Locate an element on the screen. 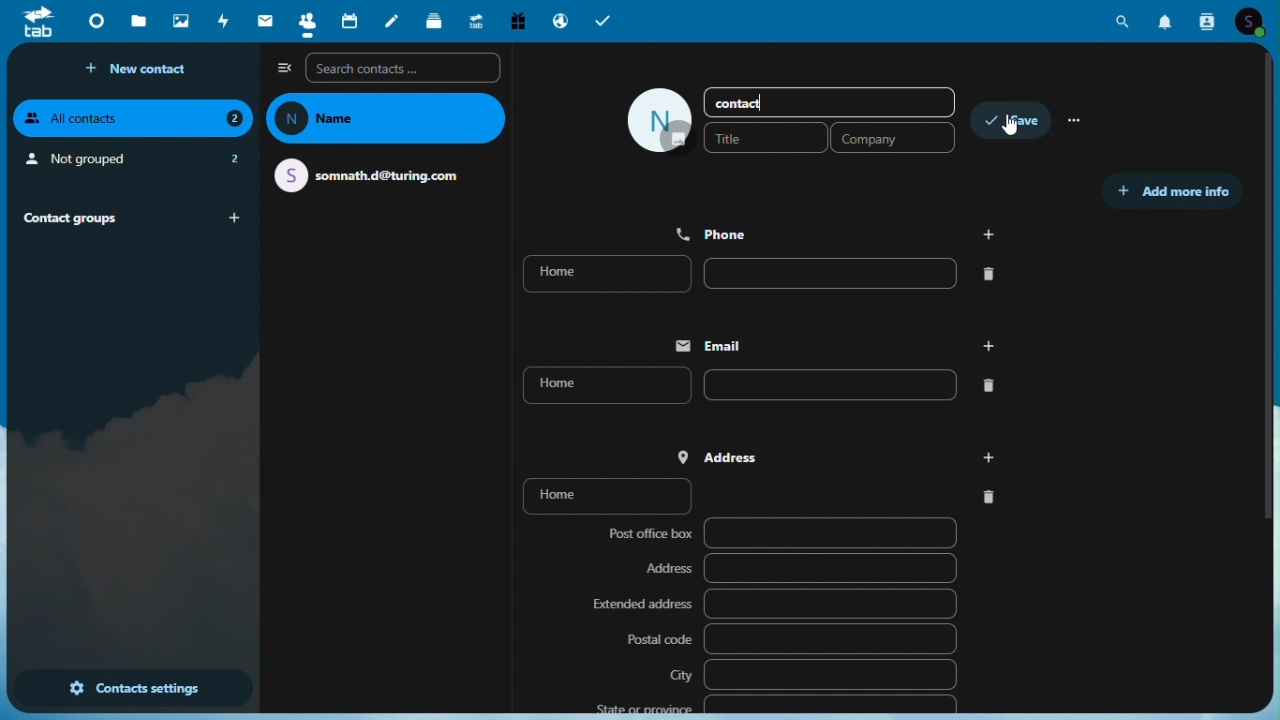 The image size is (1280, 720). phone is located at coordinates (837, 232).